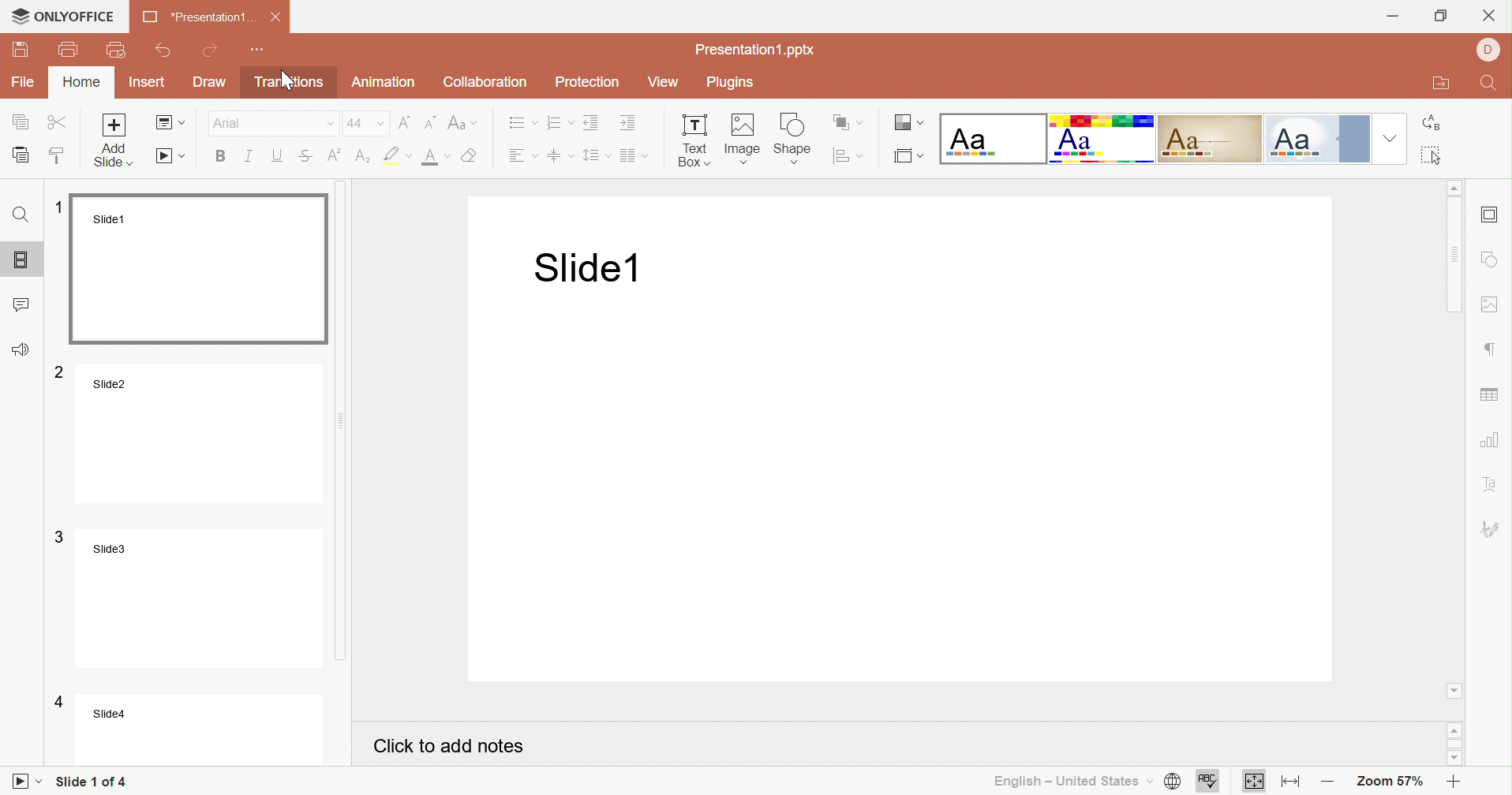  Describe the element at coordinates (692, 140) in the screenshot. I see `Insert text` at that location.